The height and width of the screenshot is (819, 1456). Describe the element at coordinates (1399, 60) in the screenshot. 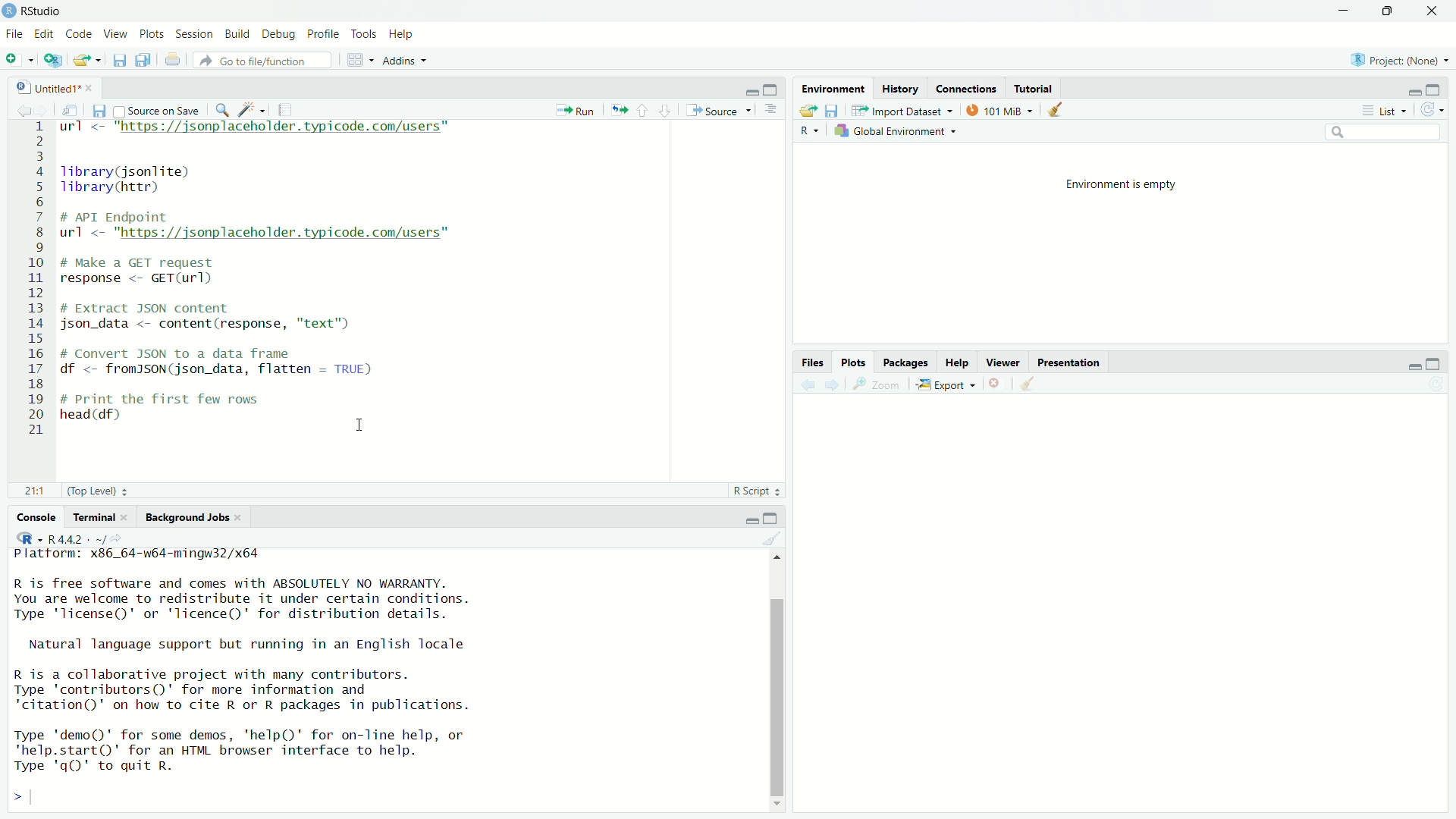

I see `Project: (None)` at that location.